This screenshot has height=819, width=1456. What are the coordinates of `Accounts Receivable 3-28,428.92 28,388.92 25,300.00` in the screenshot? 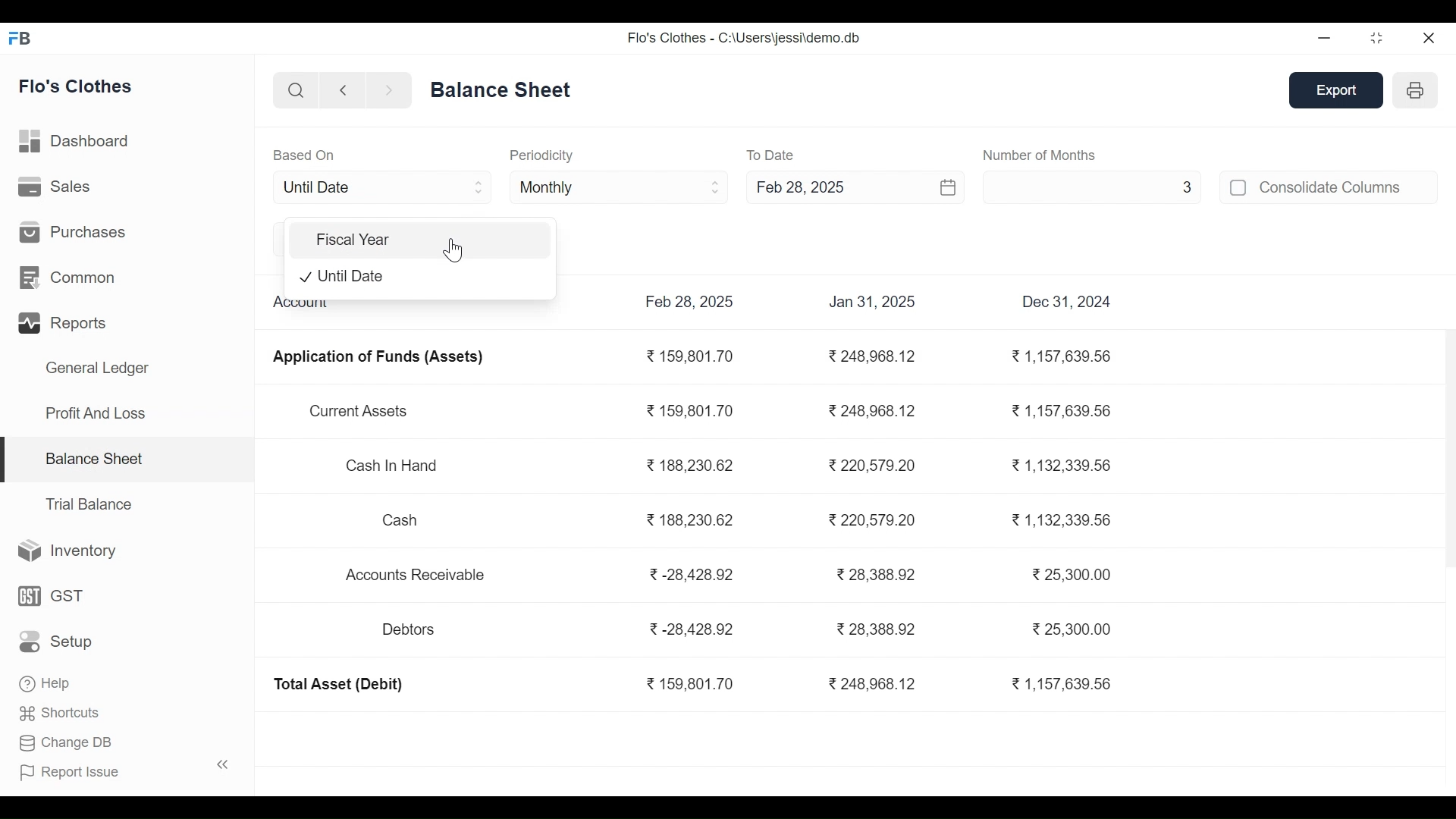 It's located at (731, 575).